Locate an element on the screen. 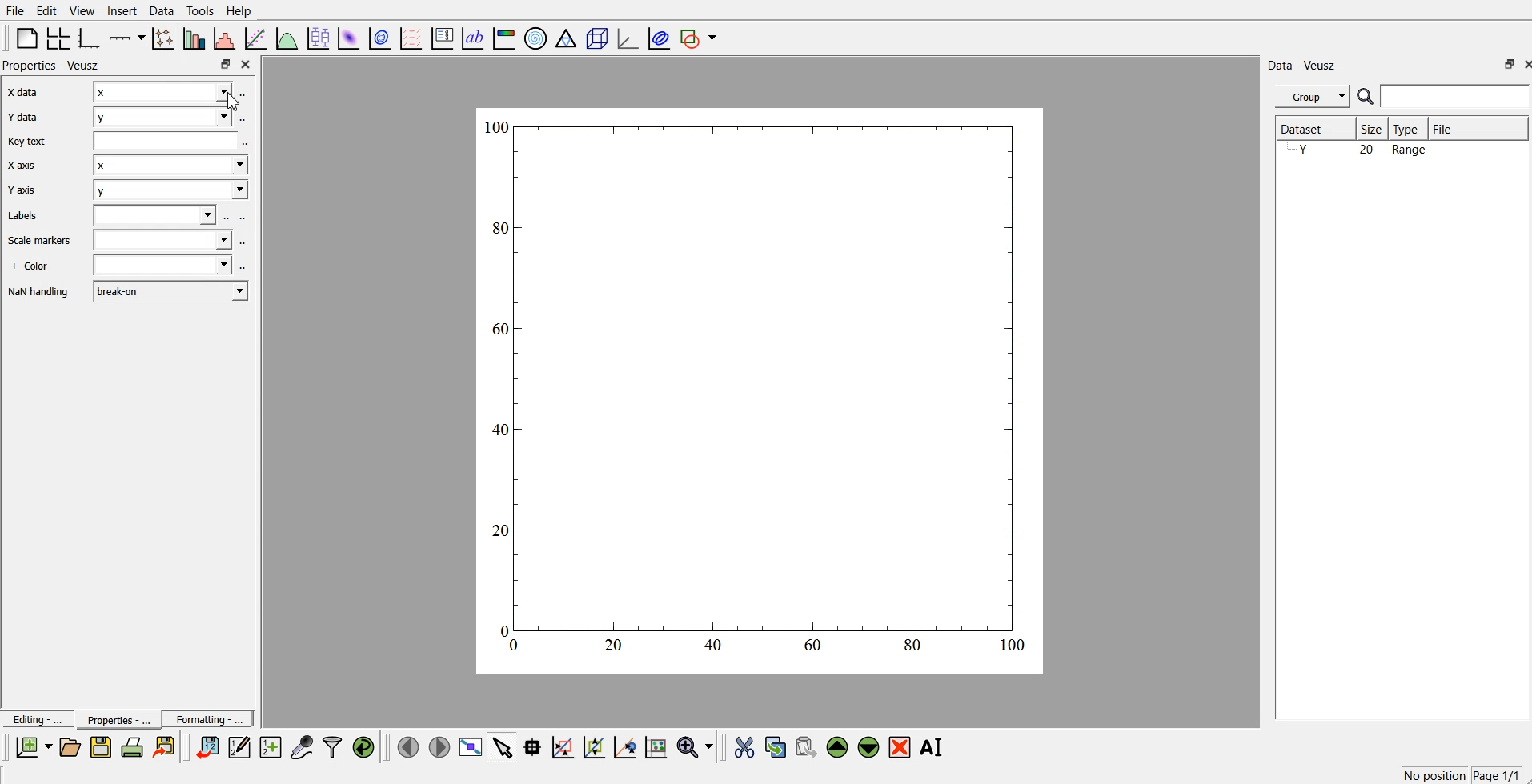 Image resolution: width=1532 pixels, height=784 pixels. breakon is located at coordinates (173, 291).